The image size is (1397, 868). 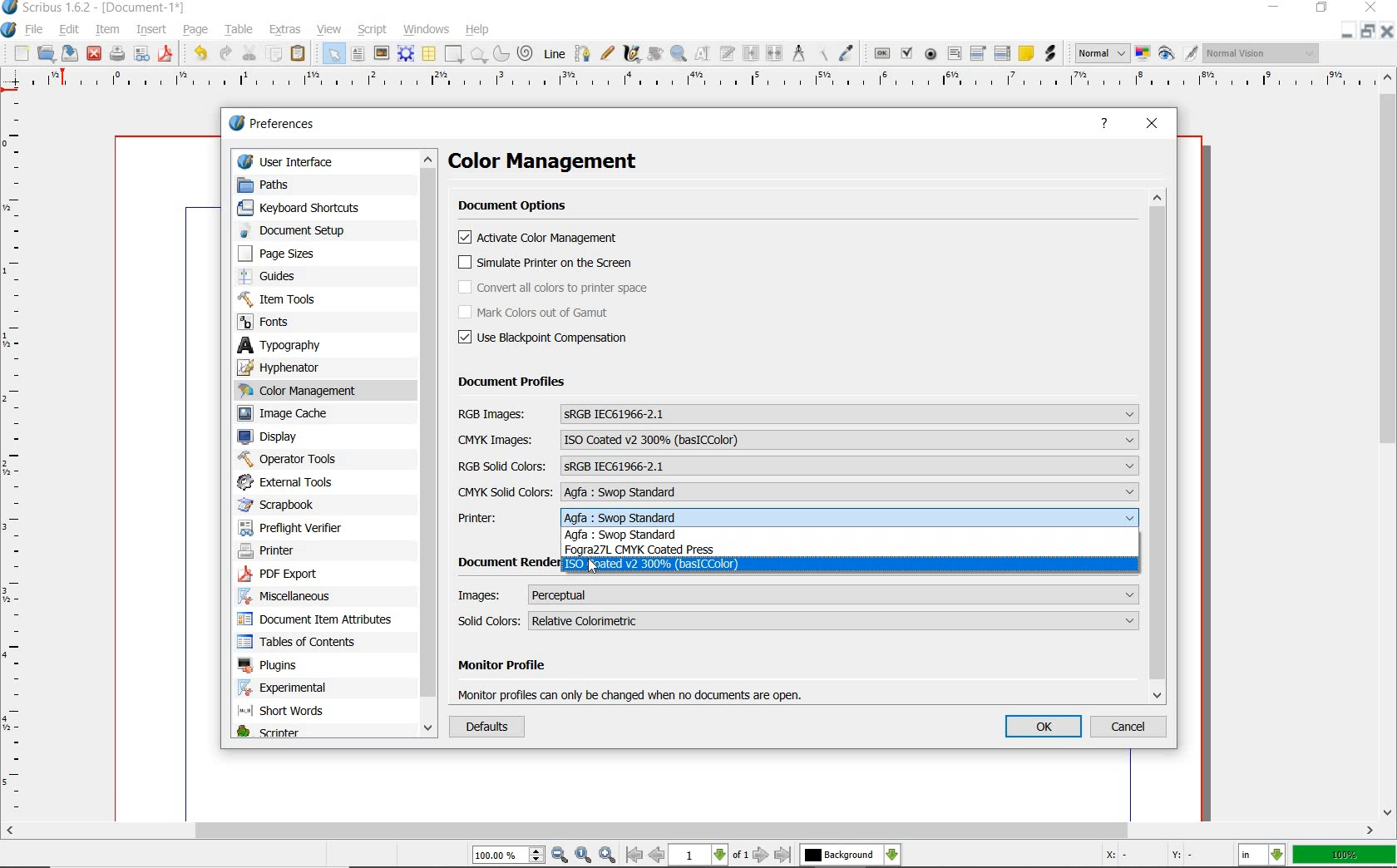 I want to click on copy item properties, so click(x=824, y=52).